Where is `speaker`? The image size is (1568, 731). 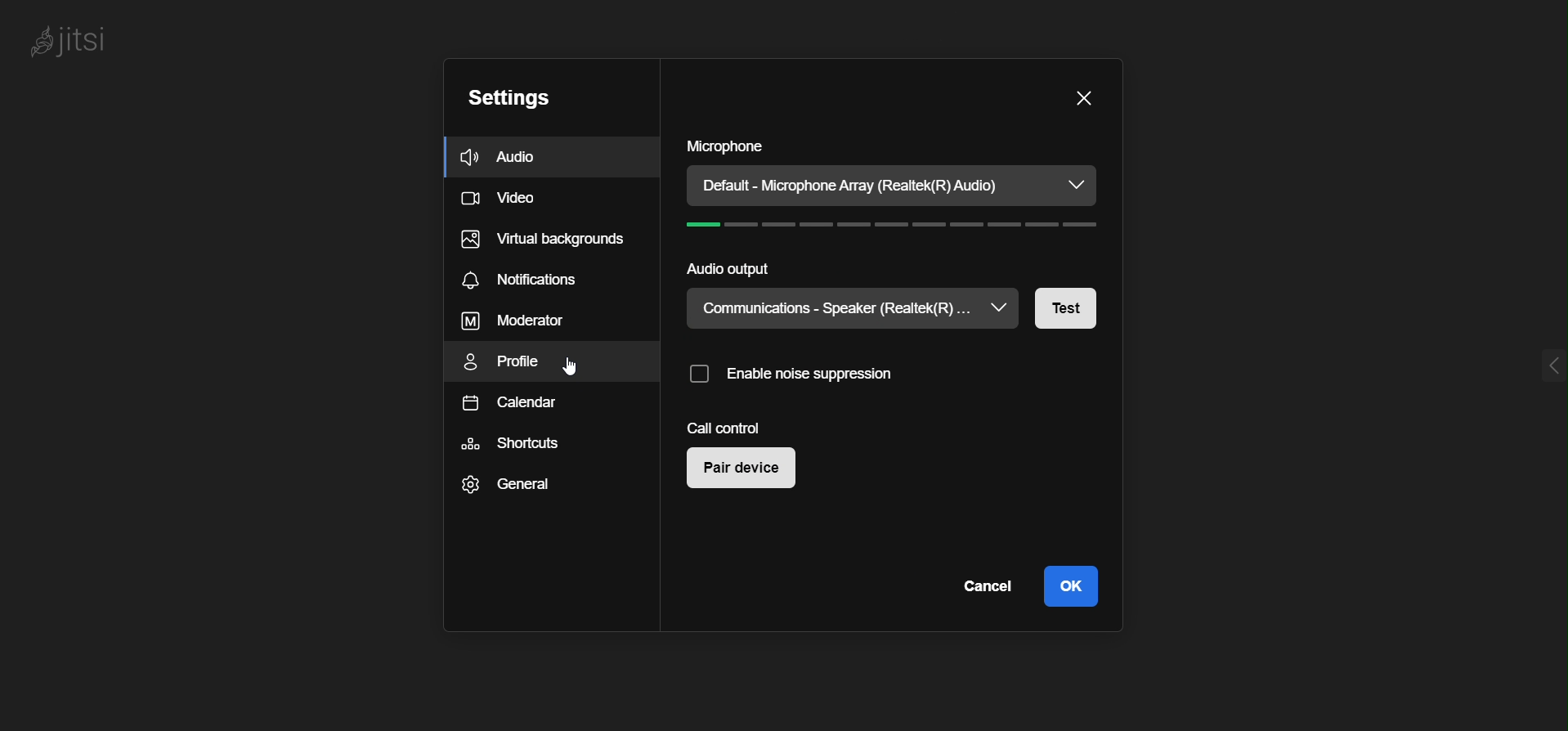 speaker is located at coordinates (836, 308).